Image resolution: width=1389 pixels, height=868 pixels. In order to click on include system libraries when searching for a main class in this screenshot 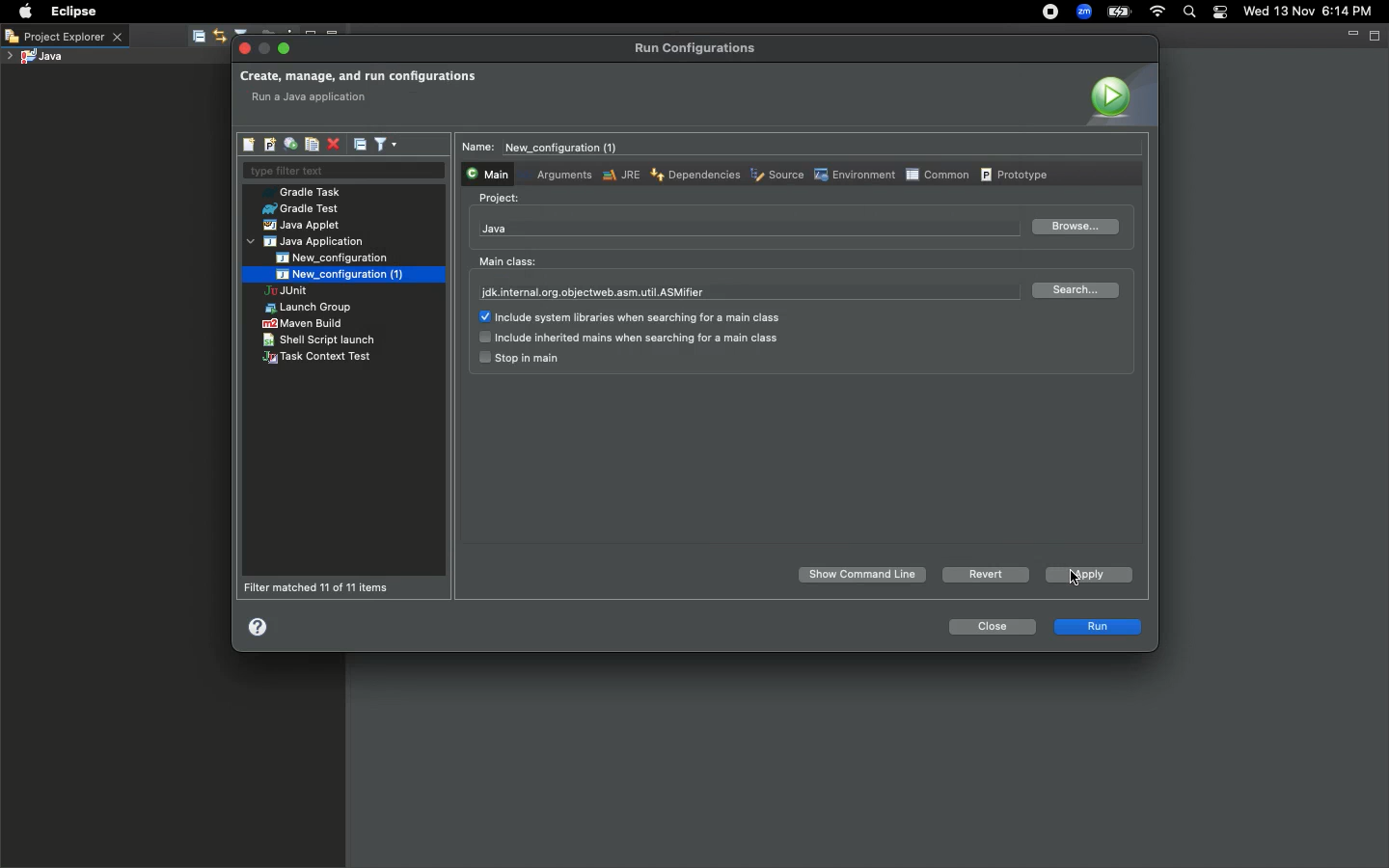, I will do `click(637, 318)`.